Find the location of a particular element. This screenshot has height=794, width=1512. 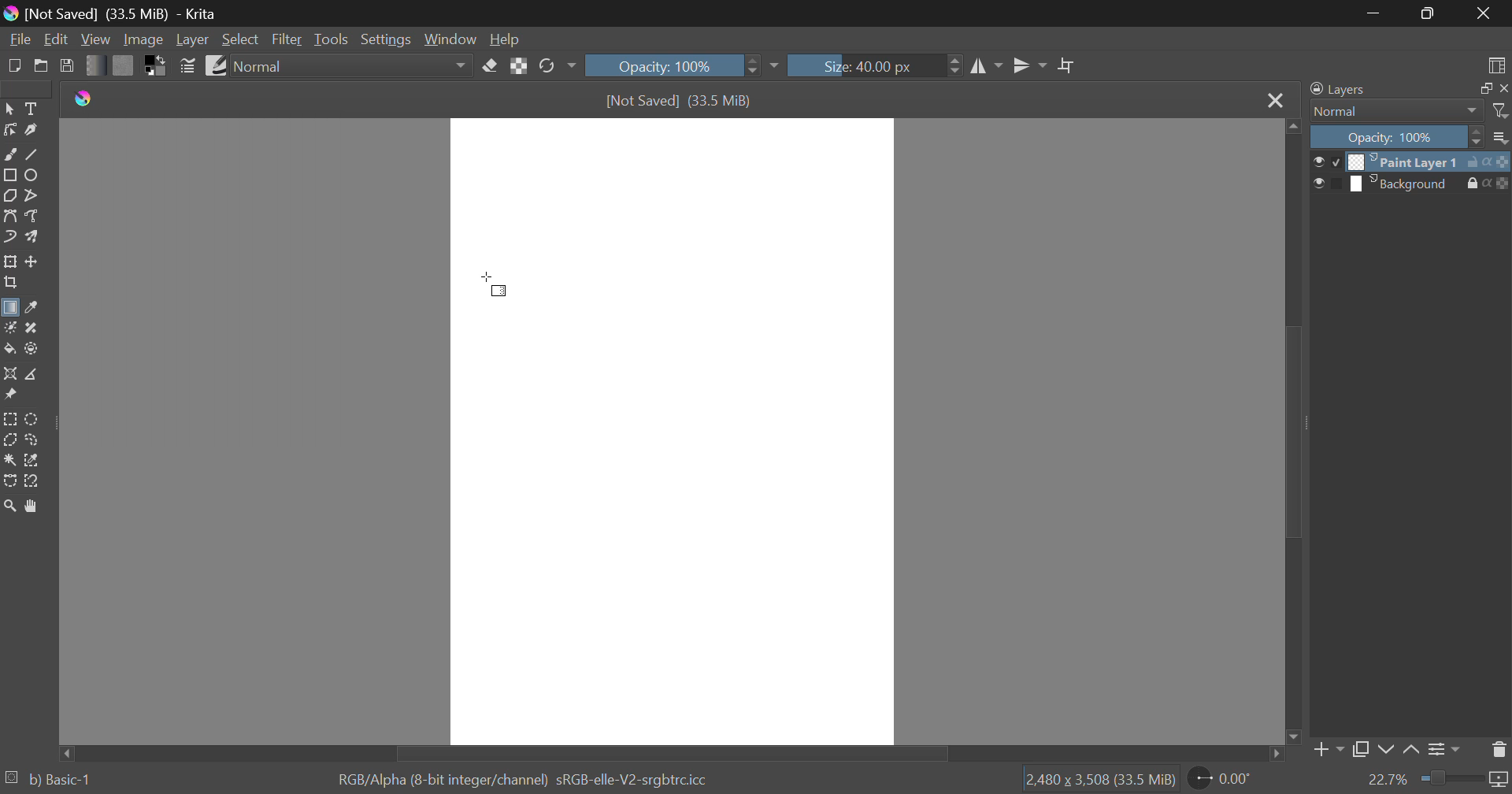

Rectangle is located at coordinates (9, 175).